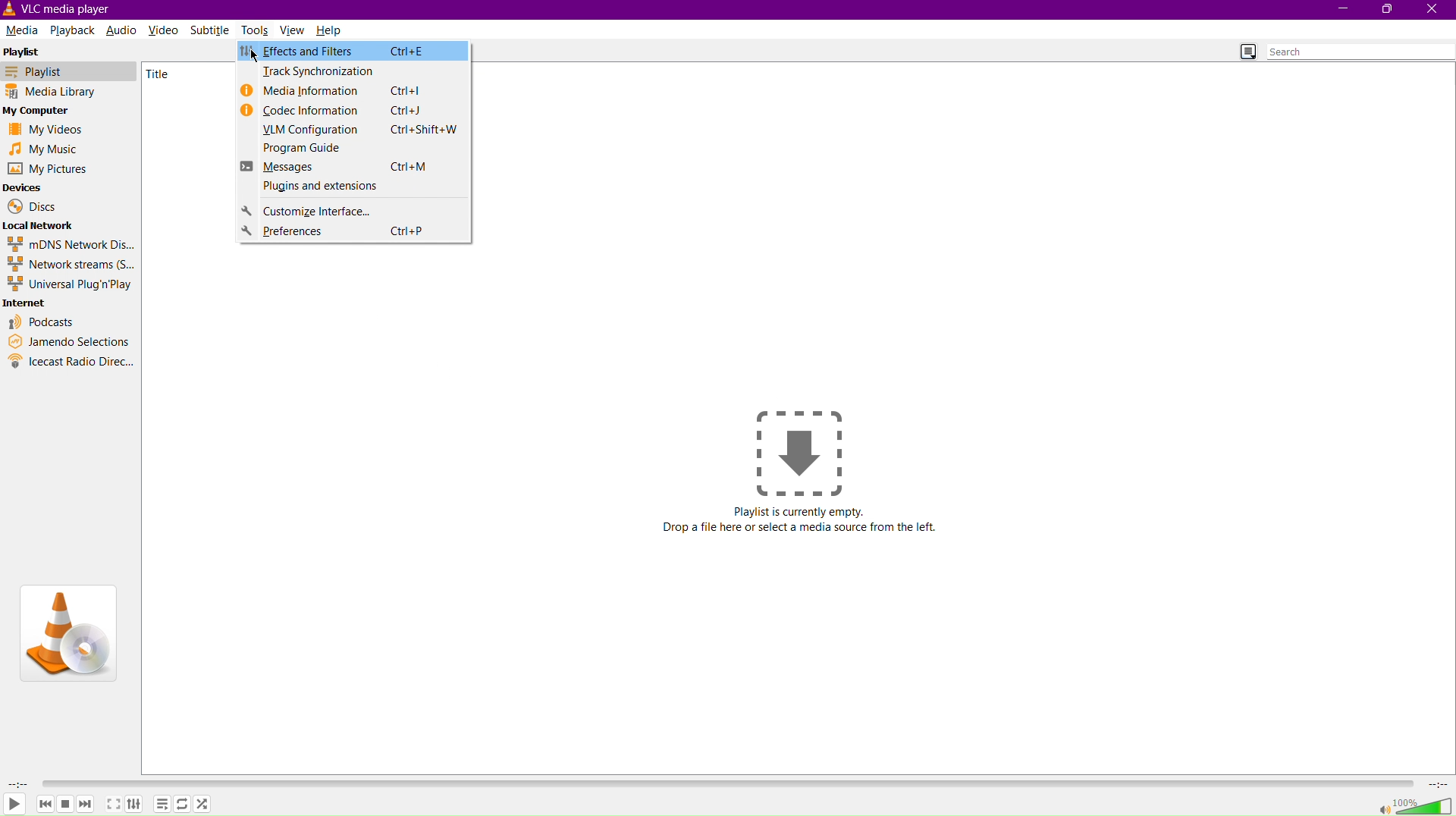 The width and height of the screenshot is (1456, 816). What do you see at coordinates (1387, 9) in the screenshot?
I see `Maximize` at bounding box center [1387, 9].